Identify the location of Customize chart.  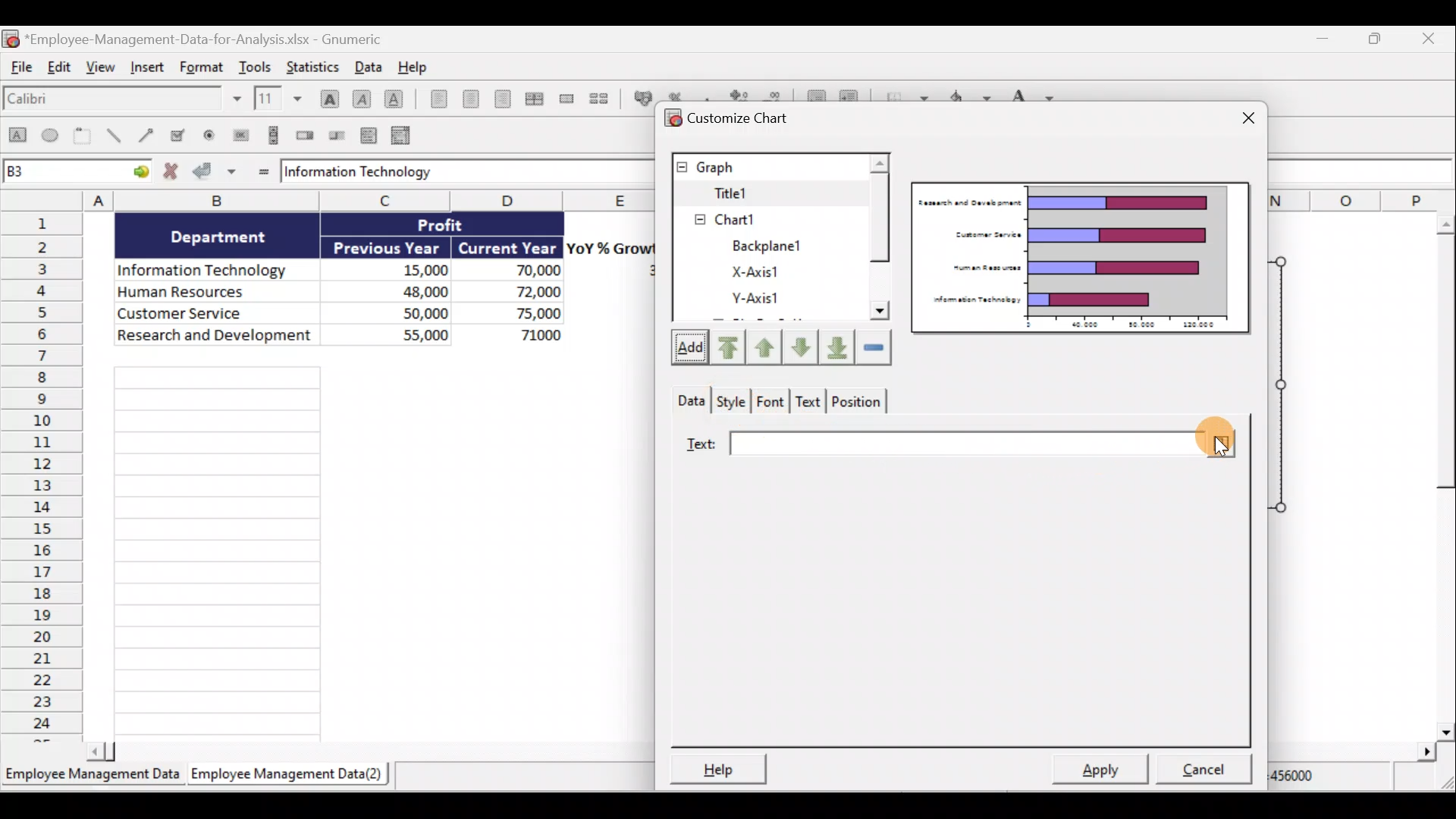
(740, 118).